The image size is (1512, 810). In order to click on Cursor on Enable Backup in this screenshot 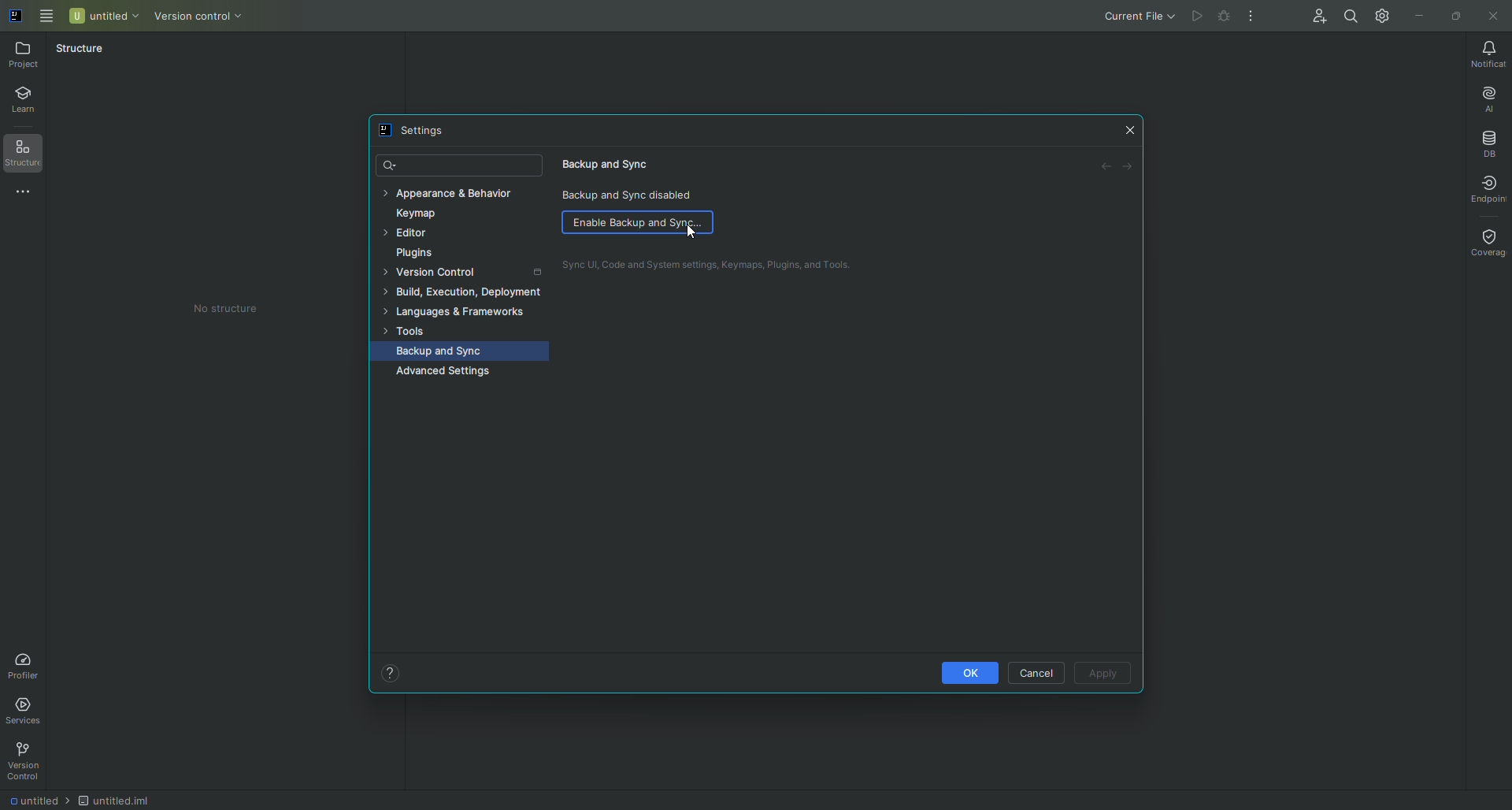, I will do `click(698, 225)`.